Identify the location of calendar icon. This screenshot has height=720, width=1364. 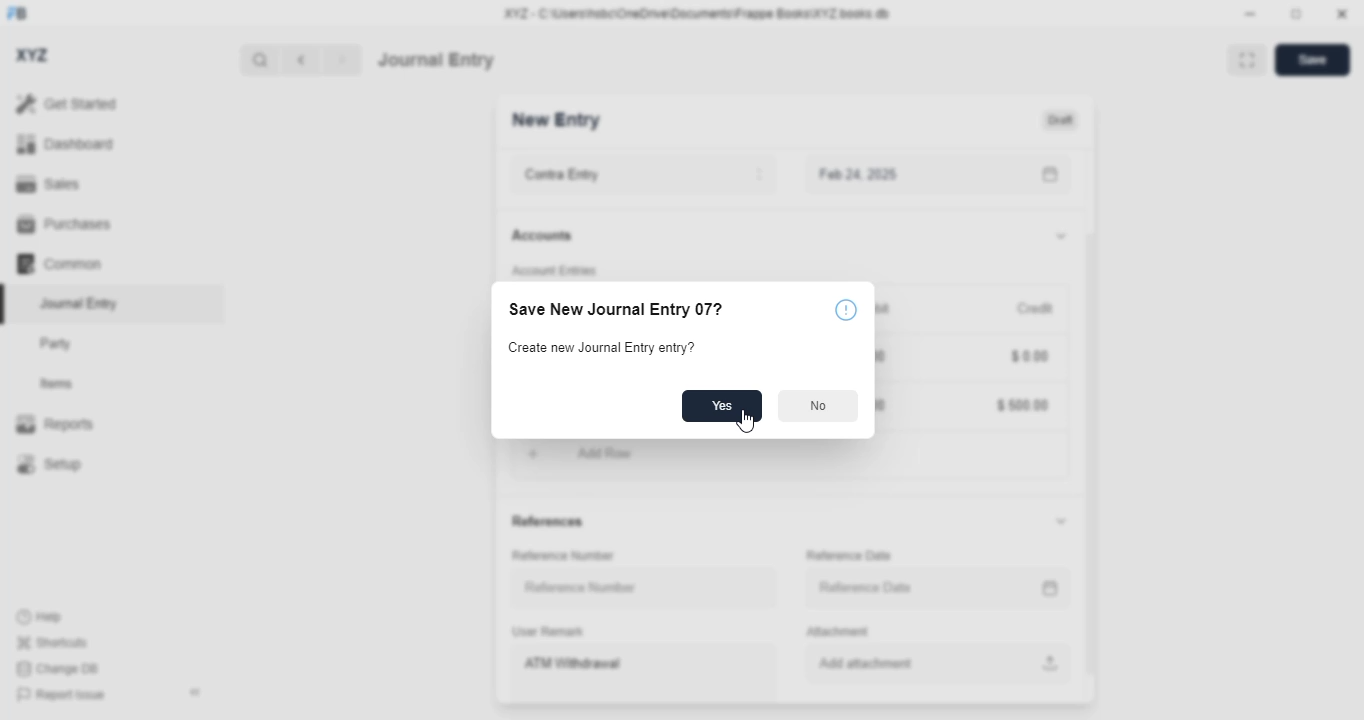
(1047, 588).